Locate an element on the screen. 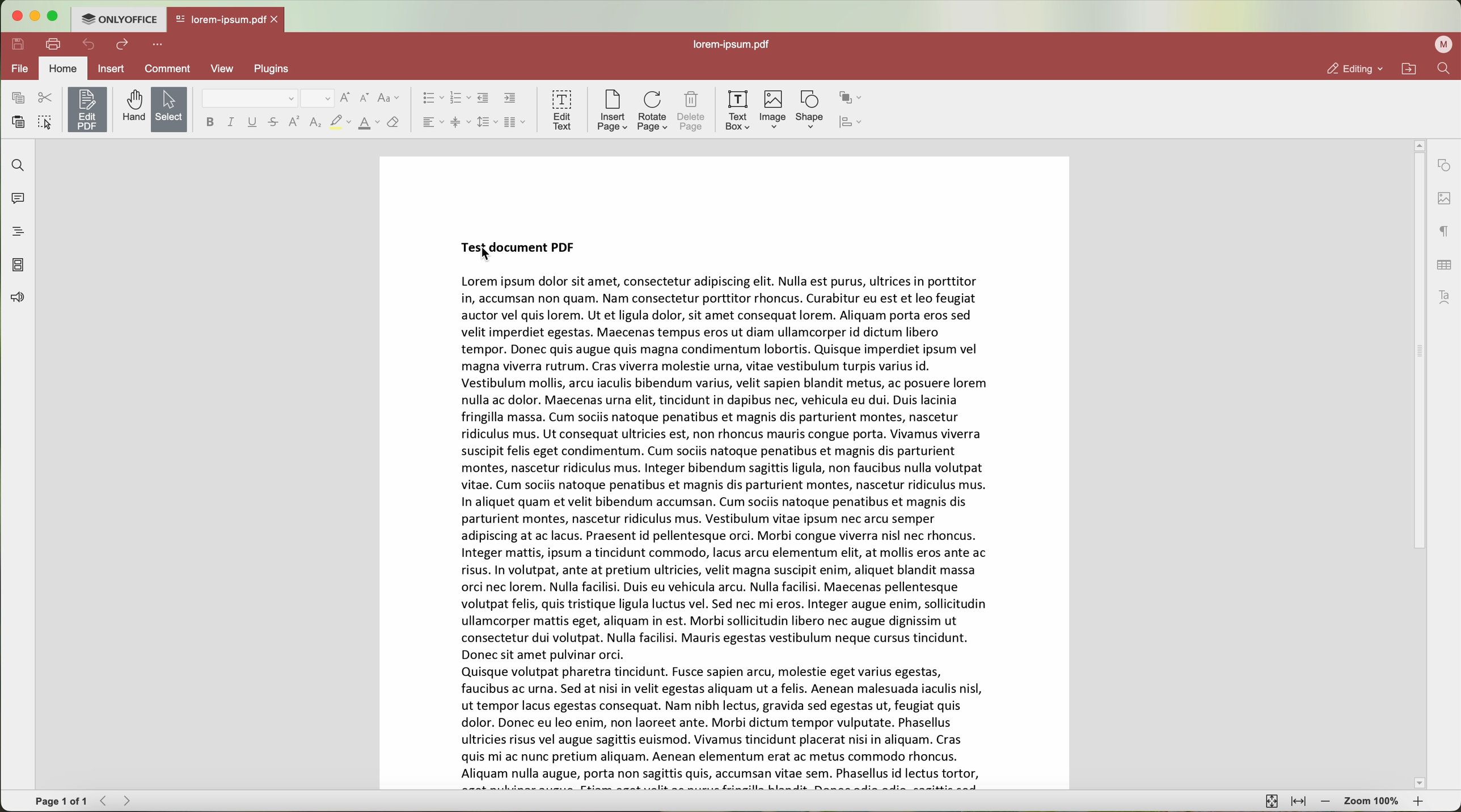 Image resolution: width=1461 pixels, height=812 pixels. file name is located at coordinates (734, 43).